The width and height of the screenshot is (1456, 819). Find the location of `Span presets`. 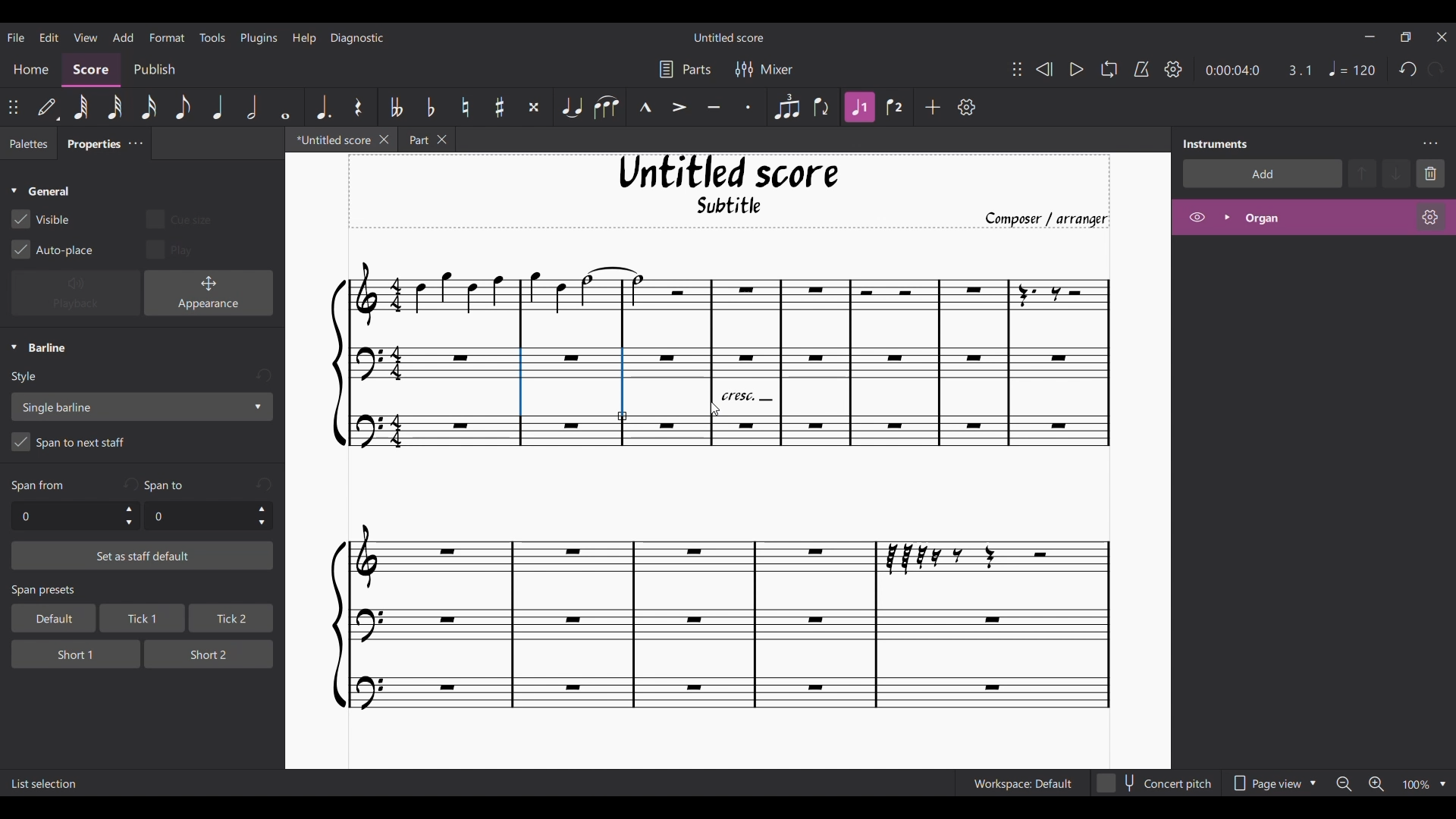

Span presets is located at coordinates (143, 591).